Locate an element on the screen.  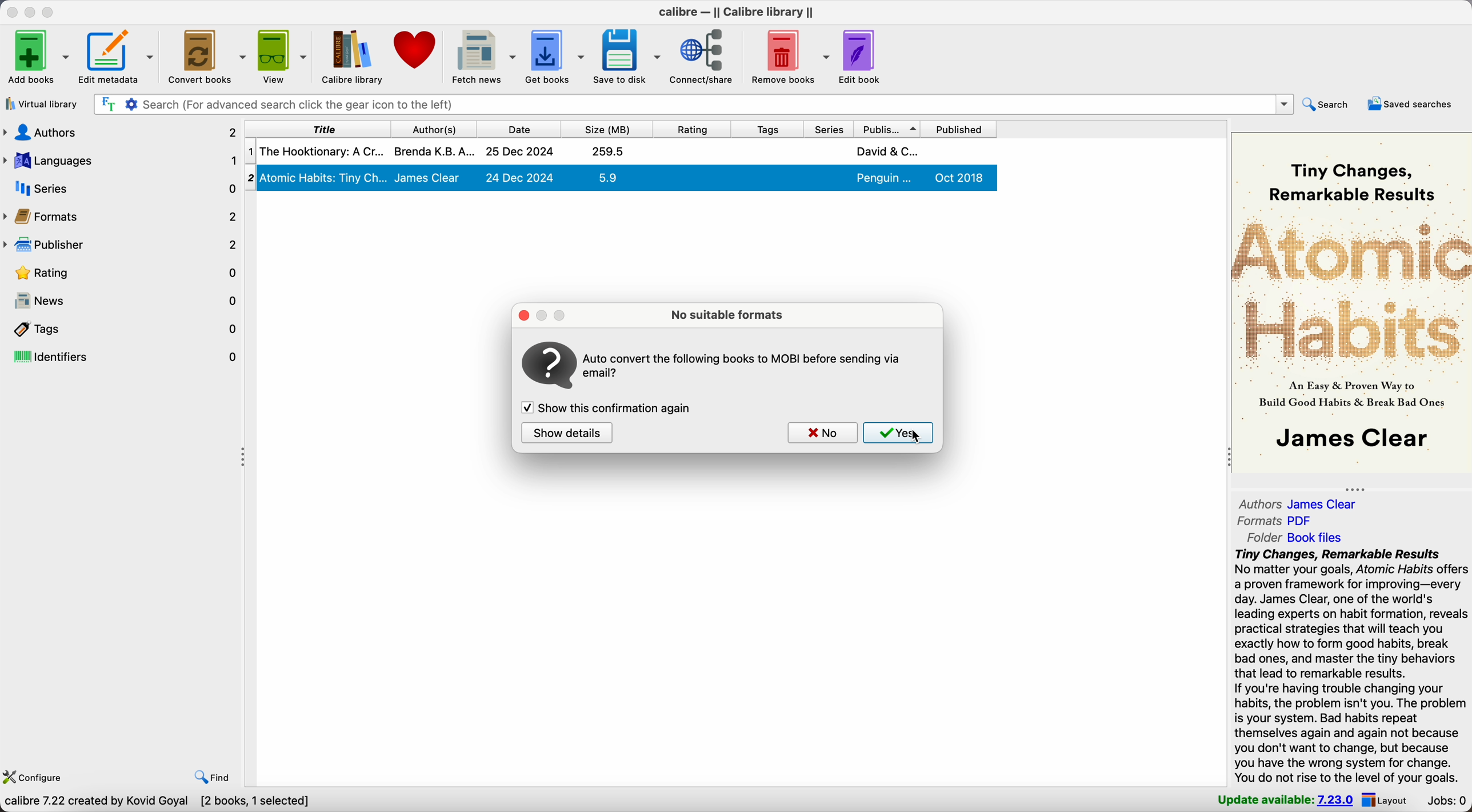
show details is located at coordinates (567, 433).